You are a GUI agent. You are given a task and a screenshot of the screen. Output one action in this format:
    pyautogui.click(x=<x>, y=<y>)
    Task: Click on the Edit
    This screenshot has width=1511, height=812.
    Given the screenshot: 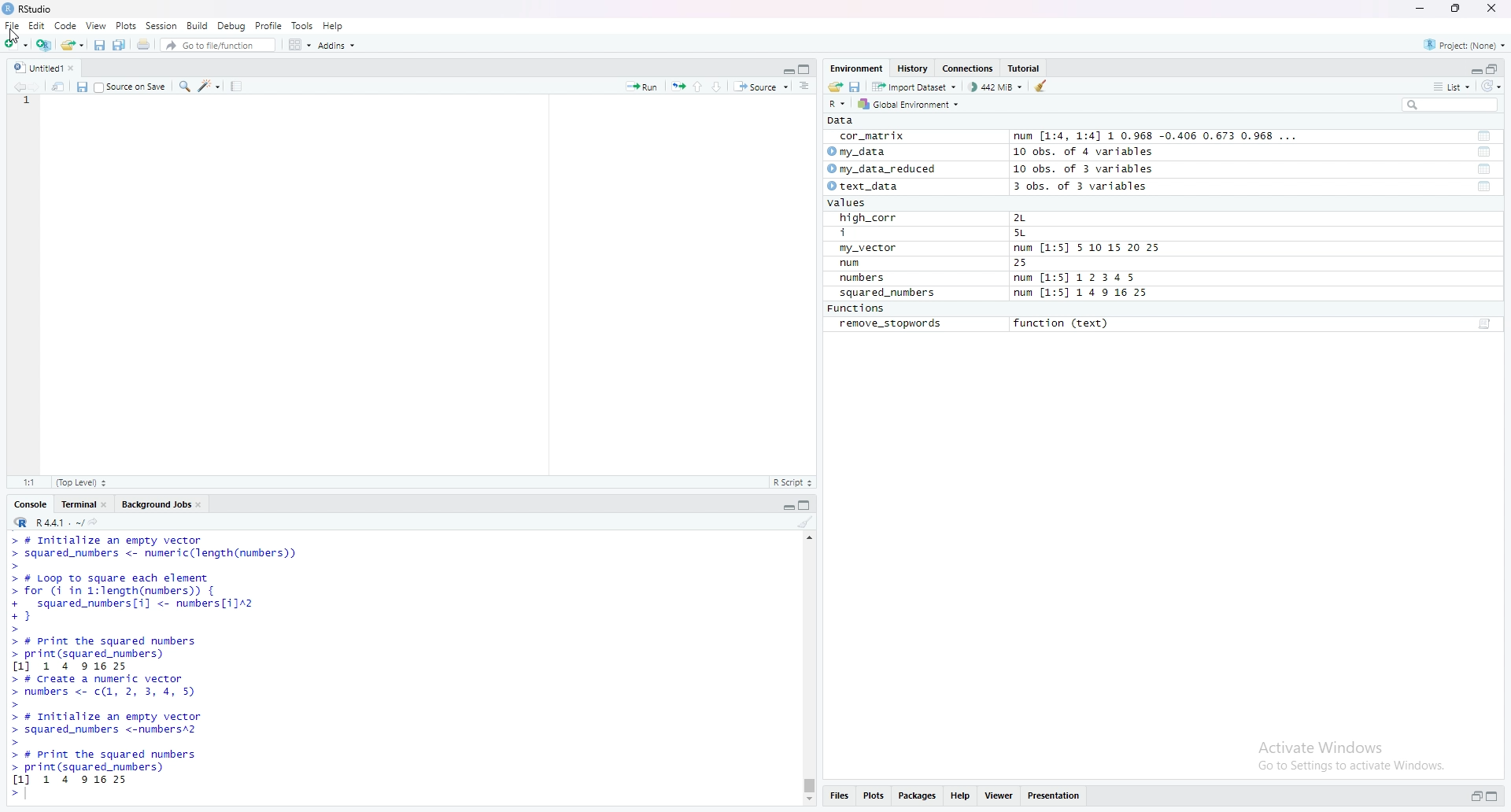 What is the action you would take?
    pyautogui.click(x=35, y=25)
    